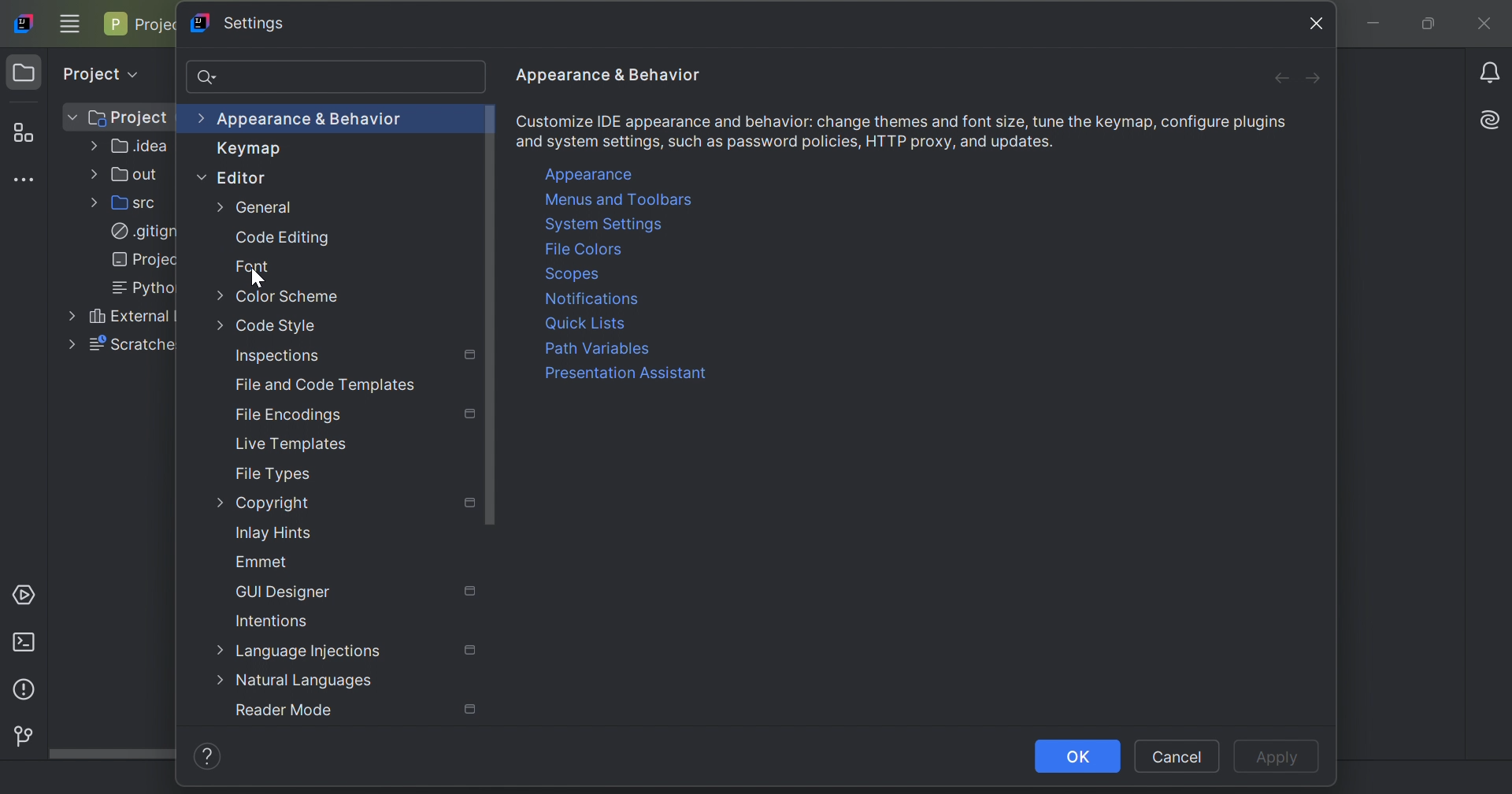  I want to click on Quick Lists, so click(587, 324).